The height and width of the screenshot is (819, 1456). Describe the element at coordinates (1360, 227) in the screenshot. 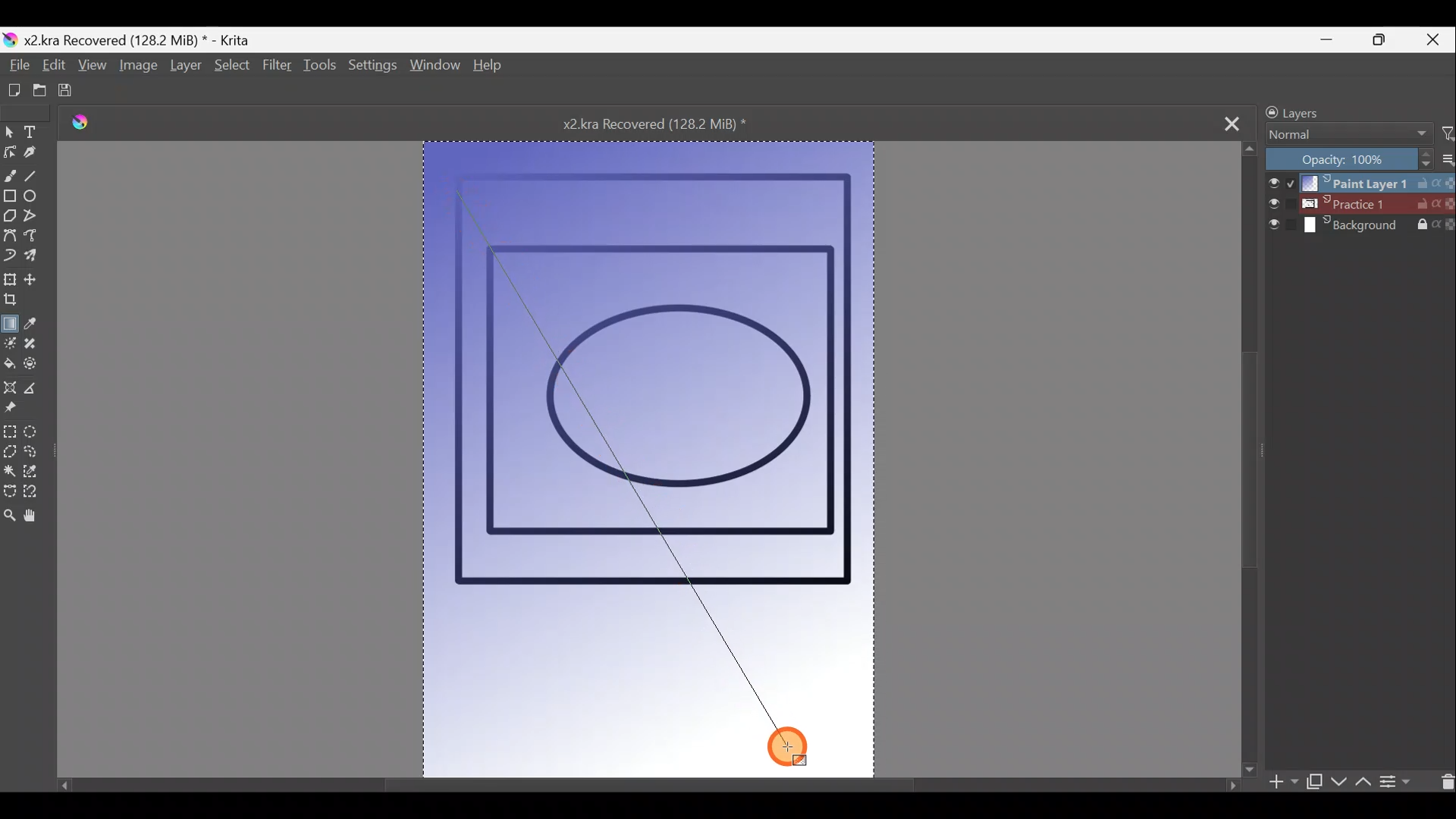

I see `Layer 3` at that location.